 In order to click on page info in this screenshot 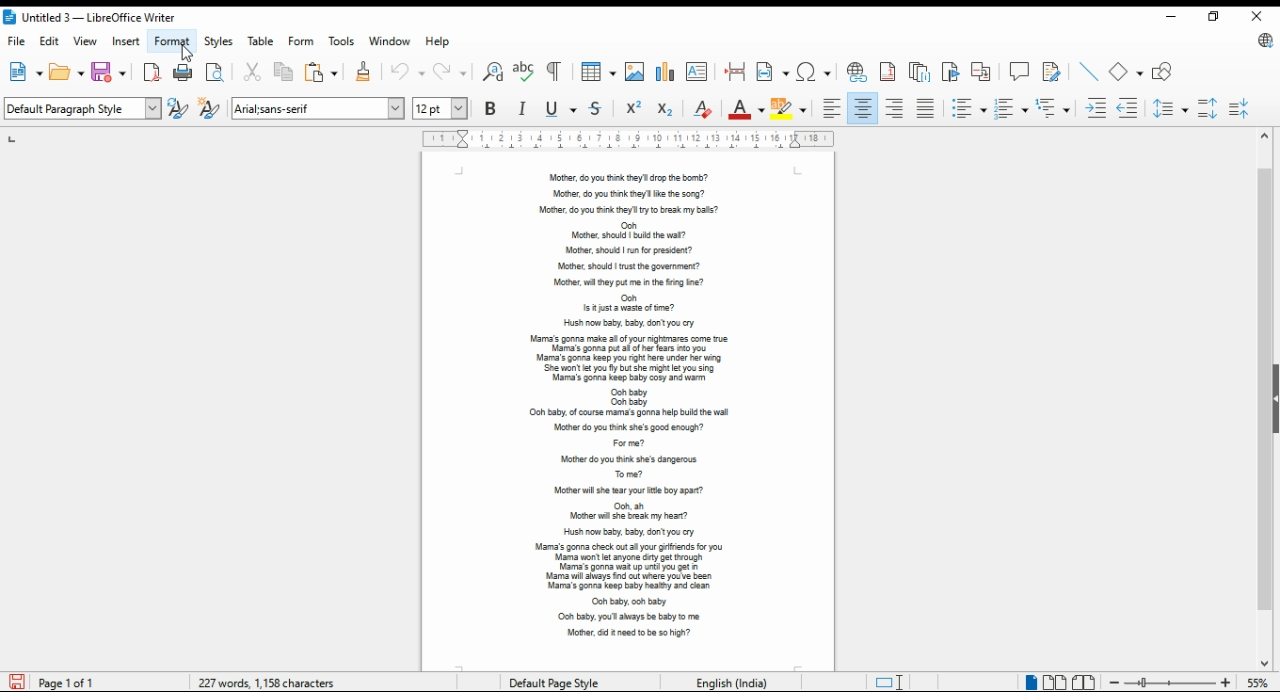, I will do `click(57, 683)`.